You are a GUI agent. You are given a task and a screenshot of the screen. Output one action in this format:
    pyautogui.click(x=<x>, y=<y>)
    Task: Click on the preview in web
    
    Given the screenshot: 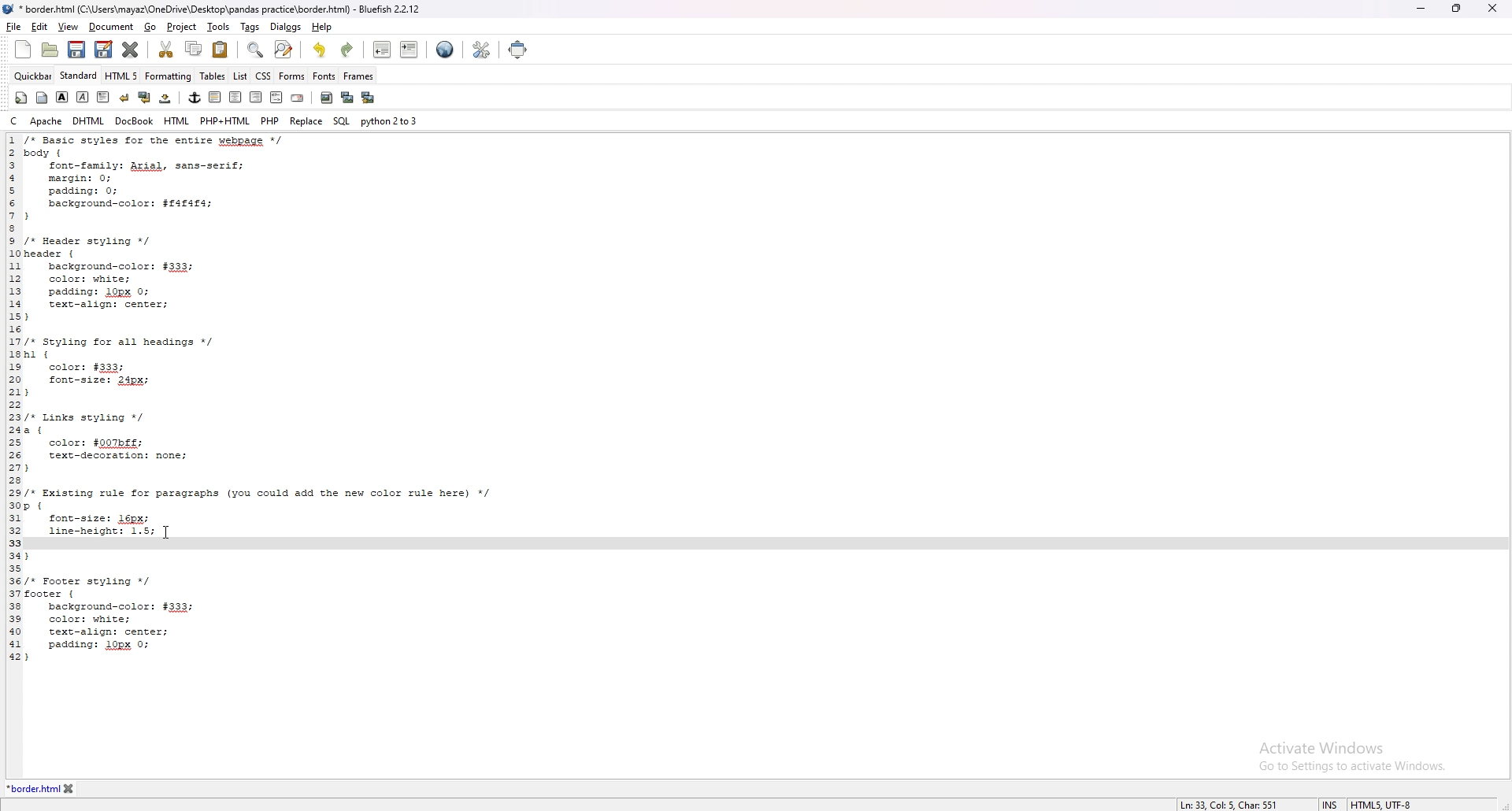 What is the action you would take?
    pyautogui.click(x=446, y=49)
    